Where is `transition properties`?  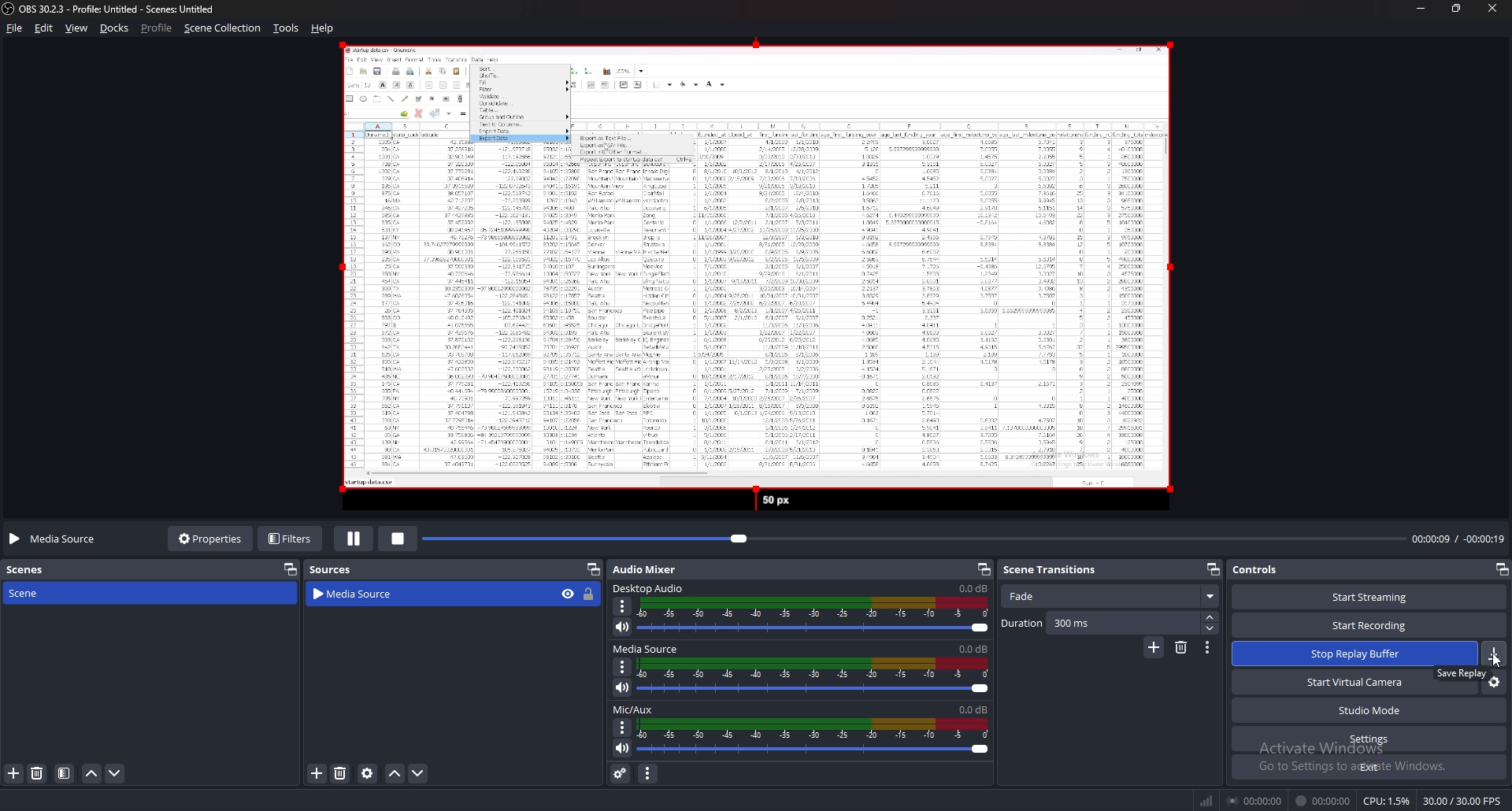
transition properties is located at coordinates (1208, 647).